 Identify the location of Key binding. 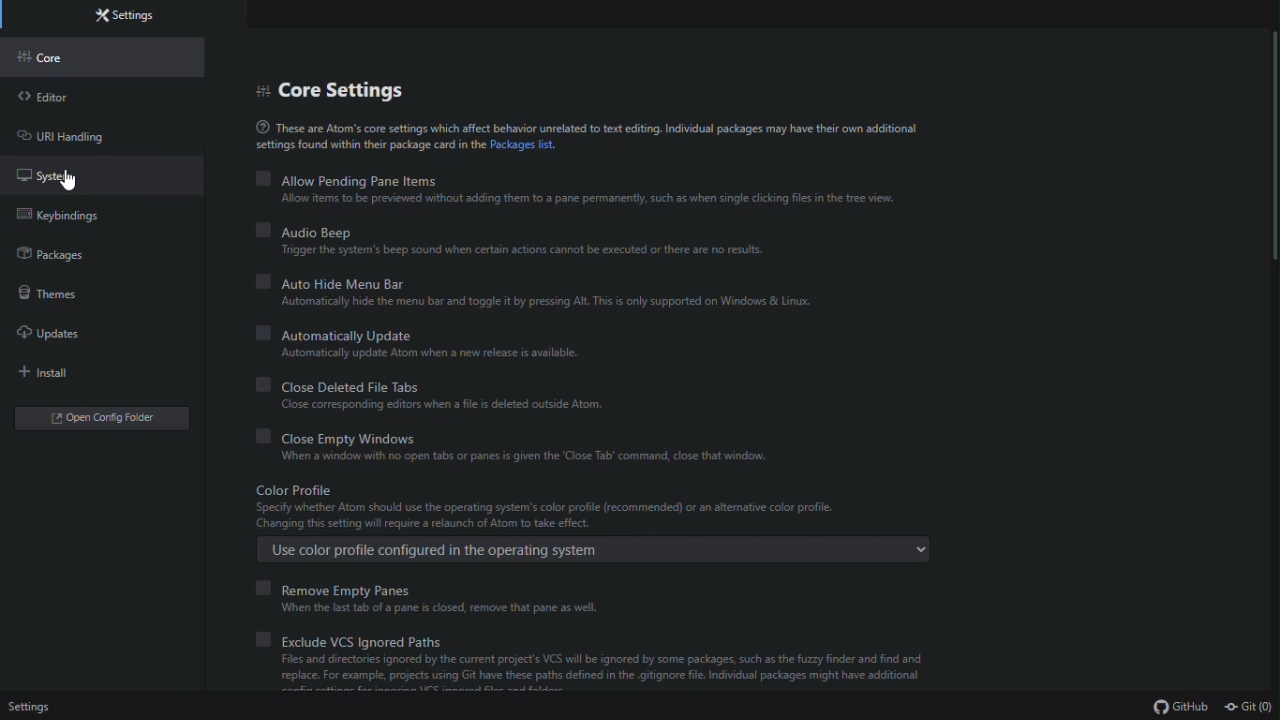
(67, 220).